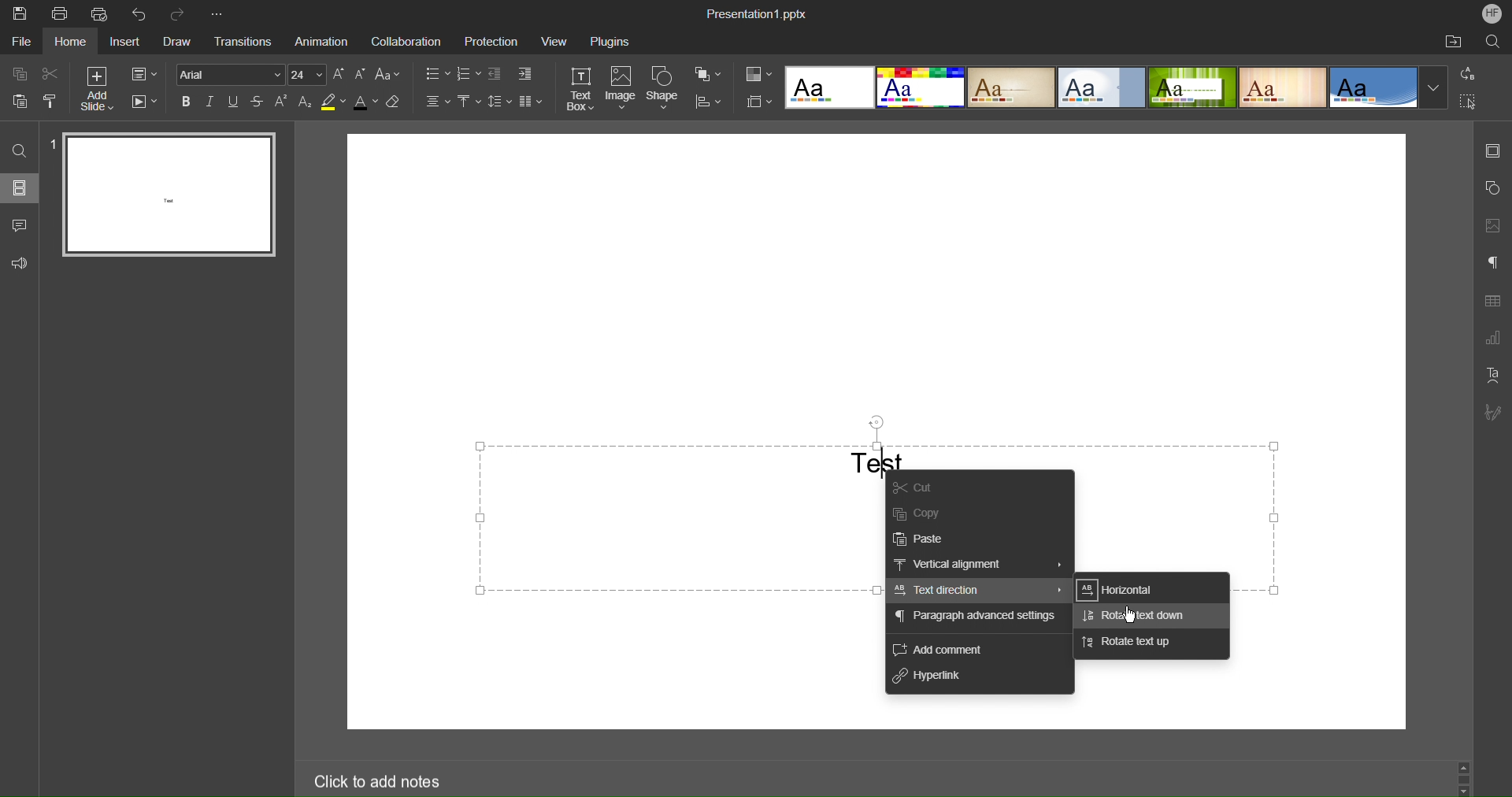 The width and height of the screenshot is (1512, 797). I want to click on Text Direction, so click(974, 592).